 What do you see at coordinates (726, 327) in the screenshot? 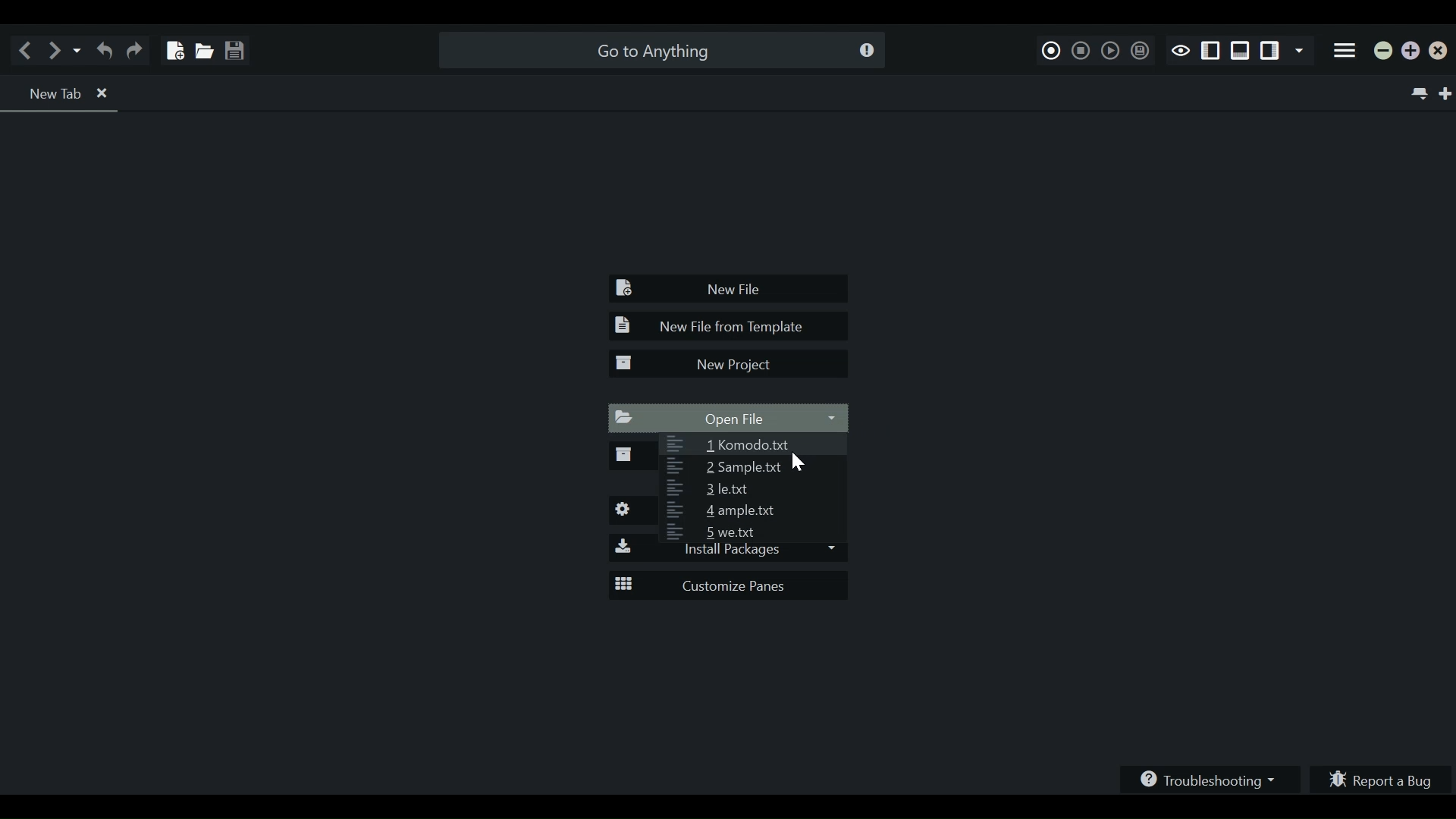
I see `New File from Template` at bounding box center [726, 327].